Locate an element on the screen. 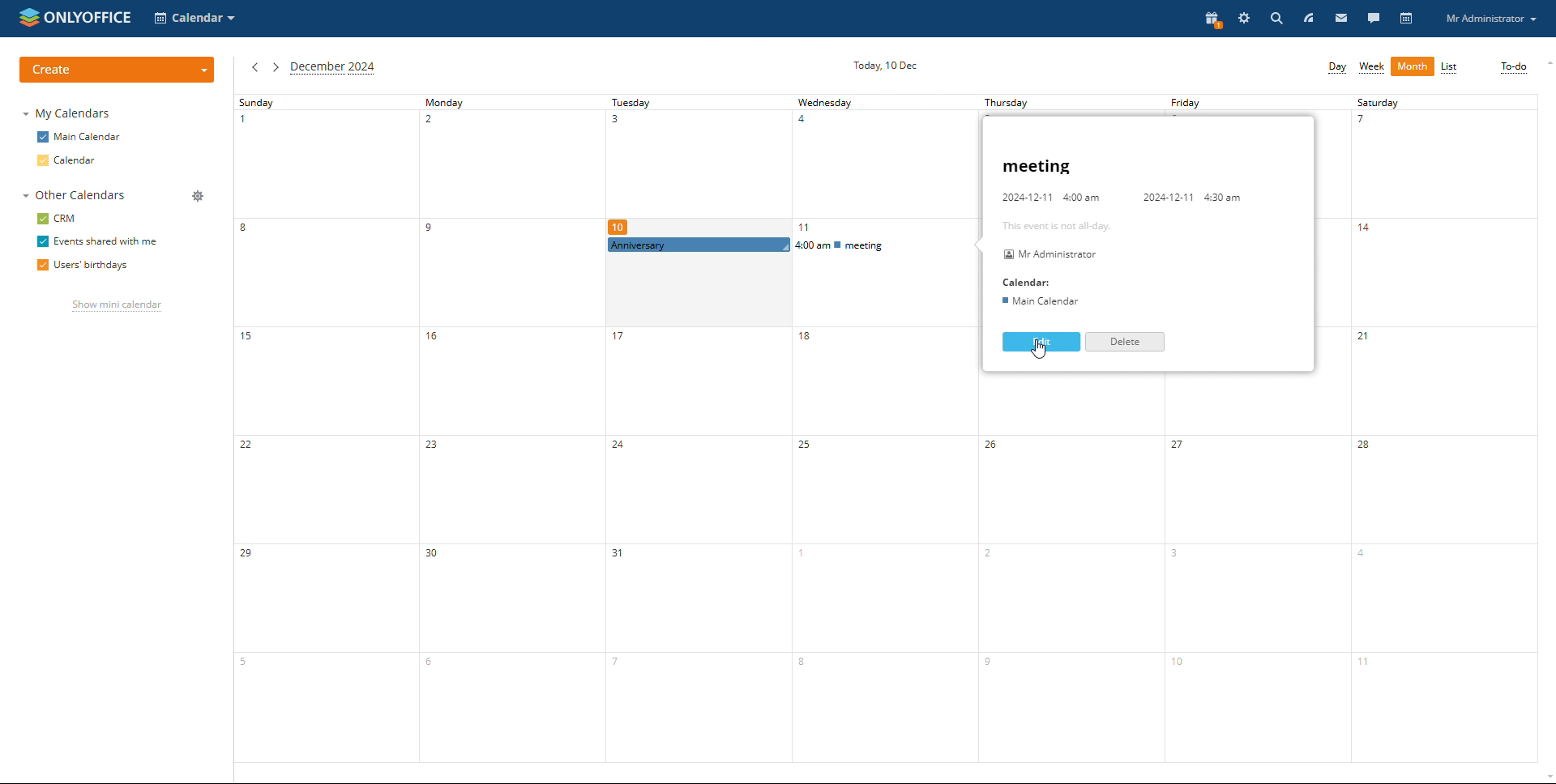  events shared with me is located at coordinates (100, 241).